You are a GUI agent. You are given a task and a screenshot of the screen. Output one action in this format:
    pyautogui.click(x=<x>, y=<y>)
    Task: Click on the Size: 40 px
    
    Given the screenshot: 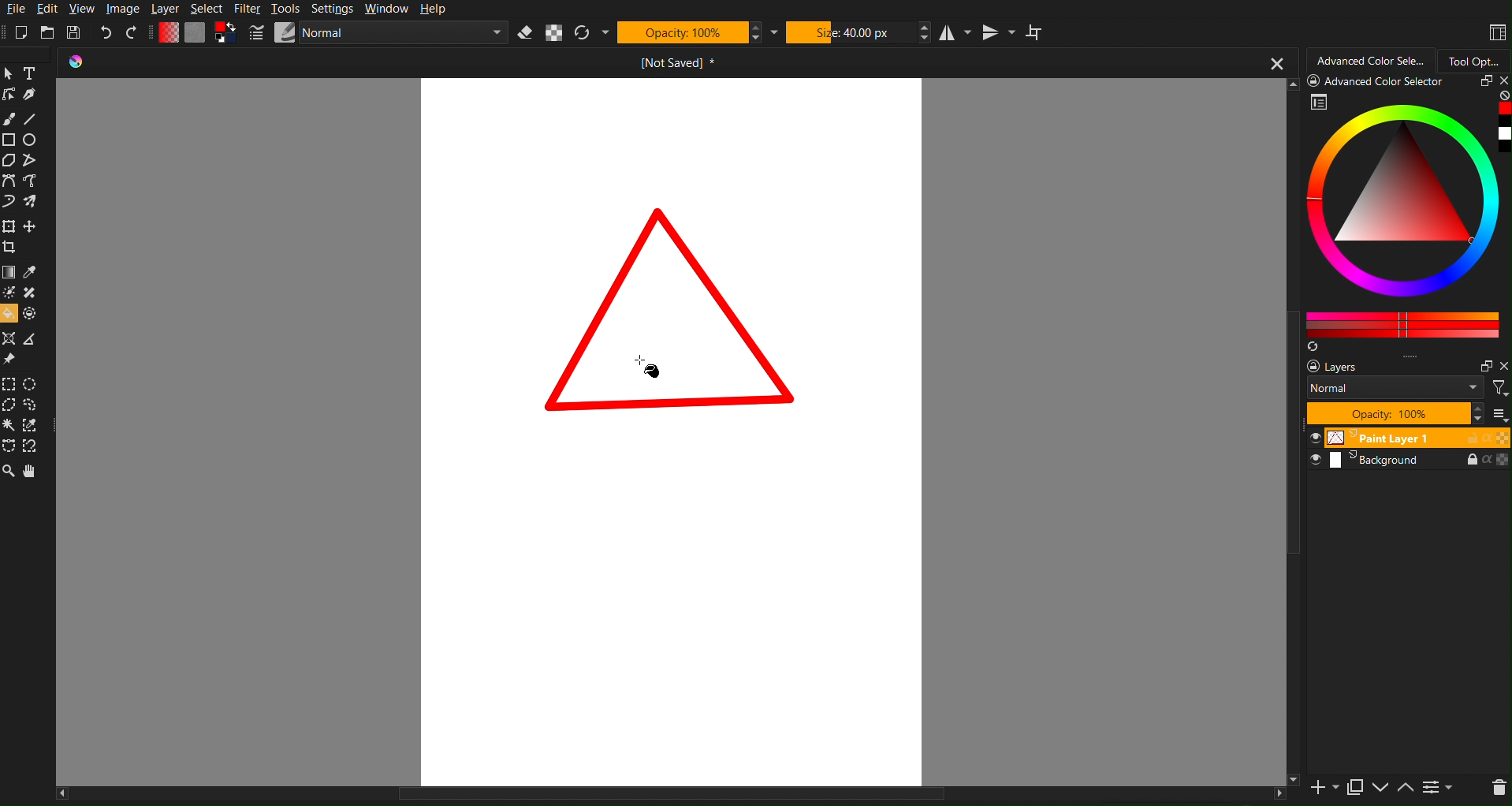 What is the action you would take?
    pyautogui.click(x=849, y=32)
    